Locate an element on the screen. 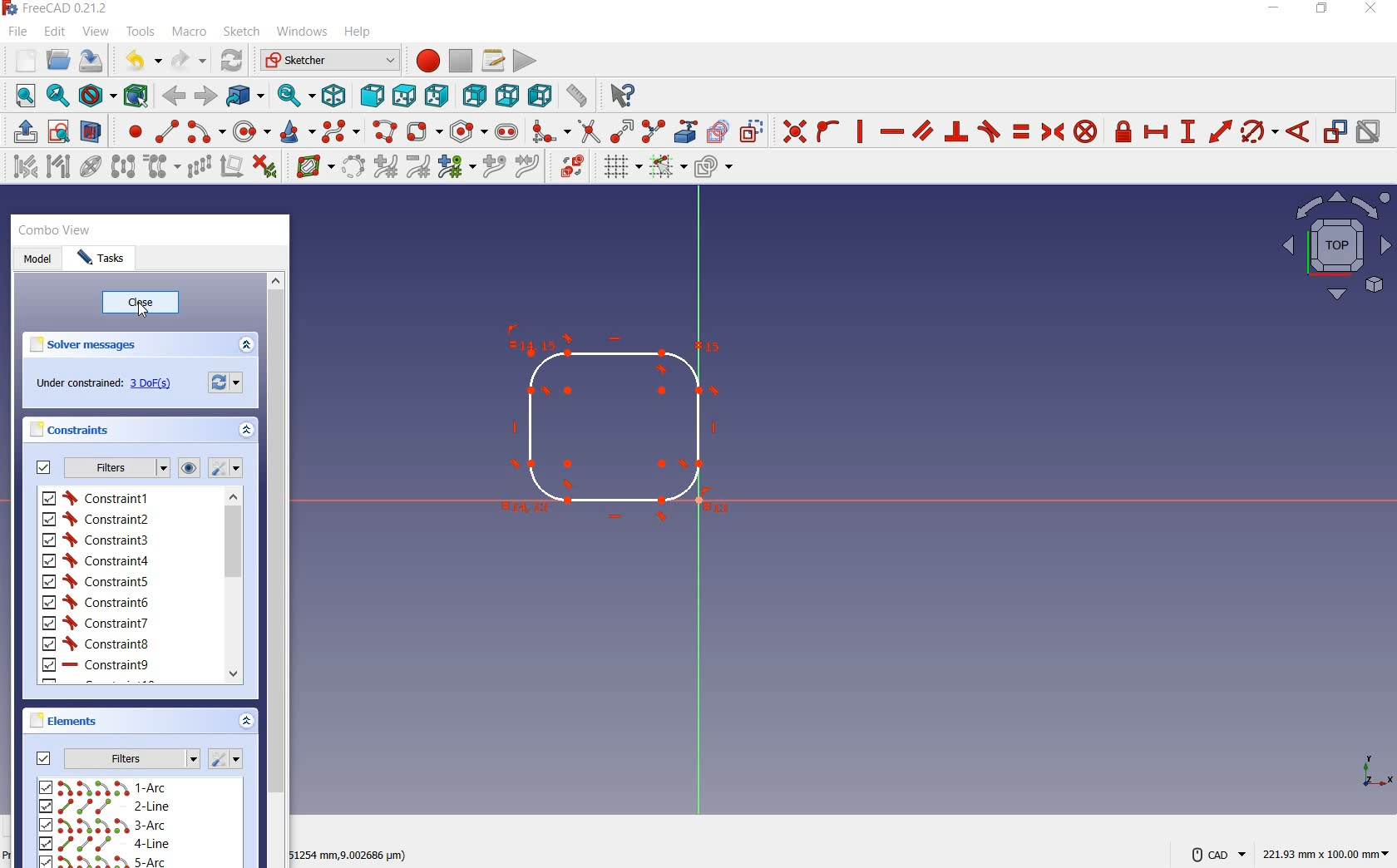  create polyline is located at coordinates (386, 131).